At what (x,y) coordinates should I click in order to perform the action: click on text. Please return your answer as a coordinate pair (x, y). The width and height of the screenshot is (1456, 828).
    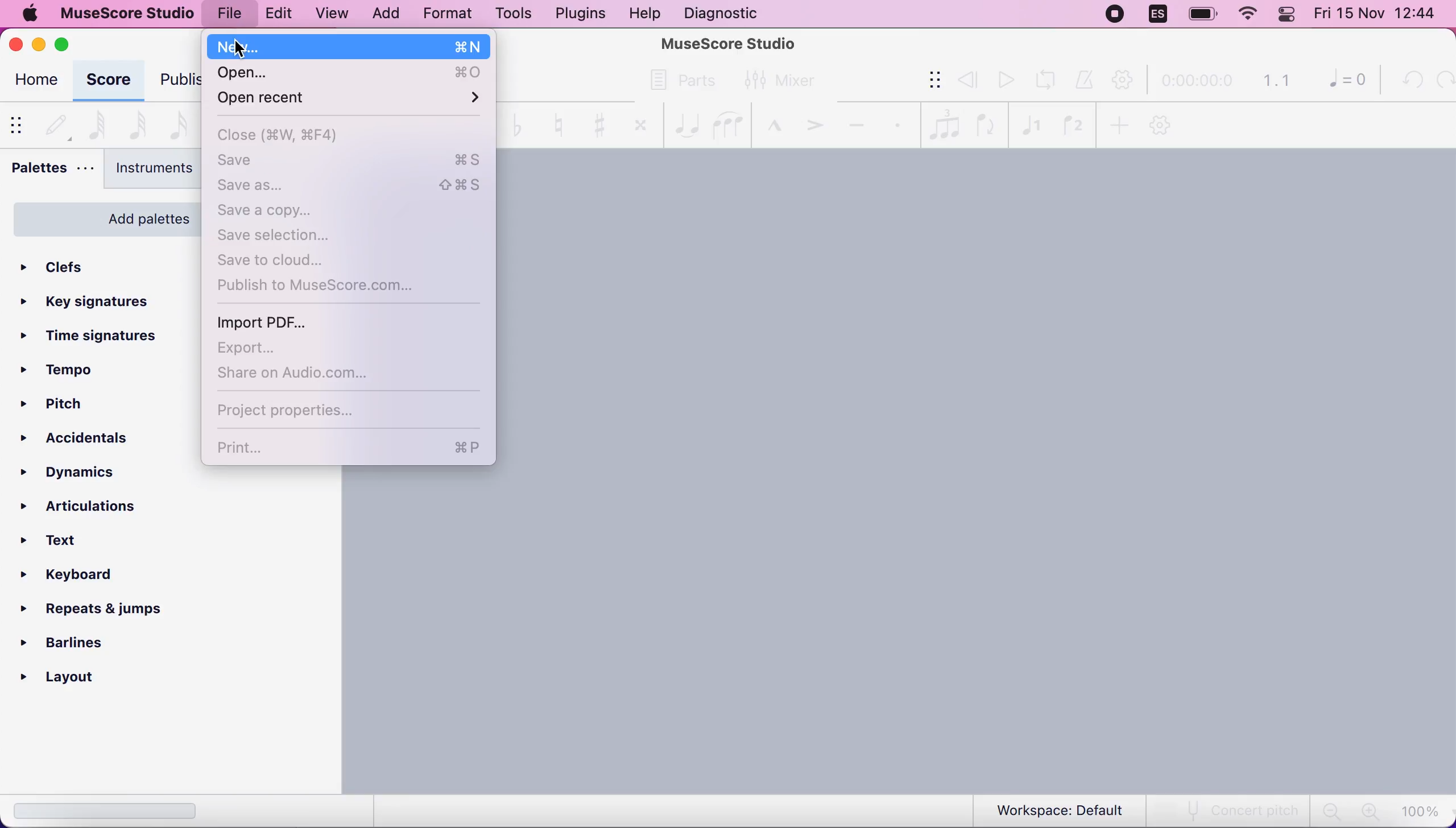
    Looking at the image, I should click on (64, 541).